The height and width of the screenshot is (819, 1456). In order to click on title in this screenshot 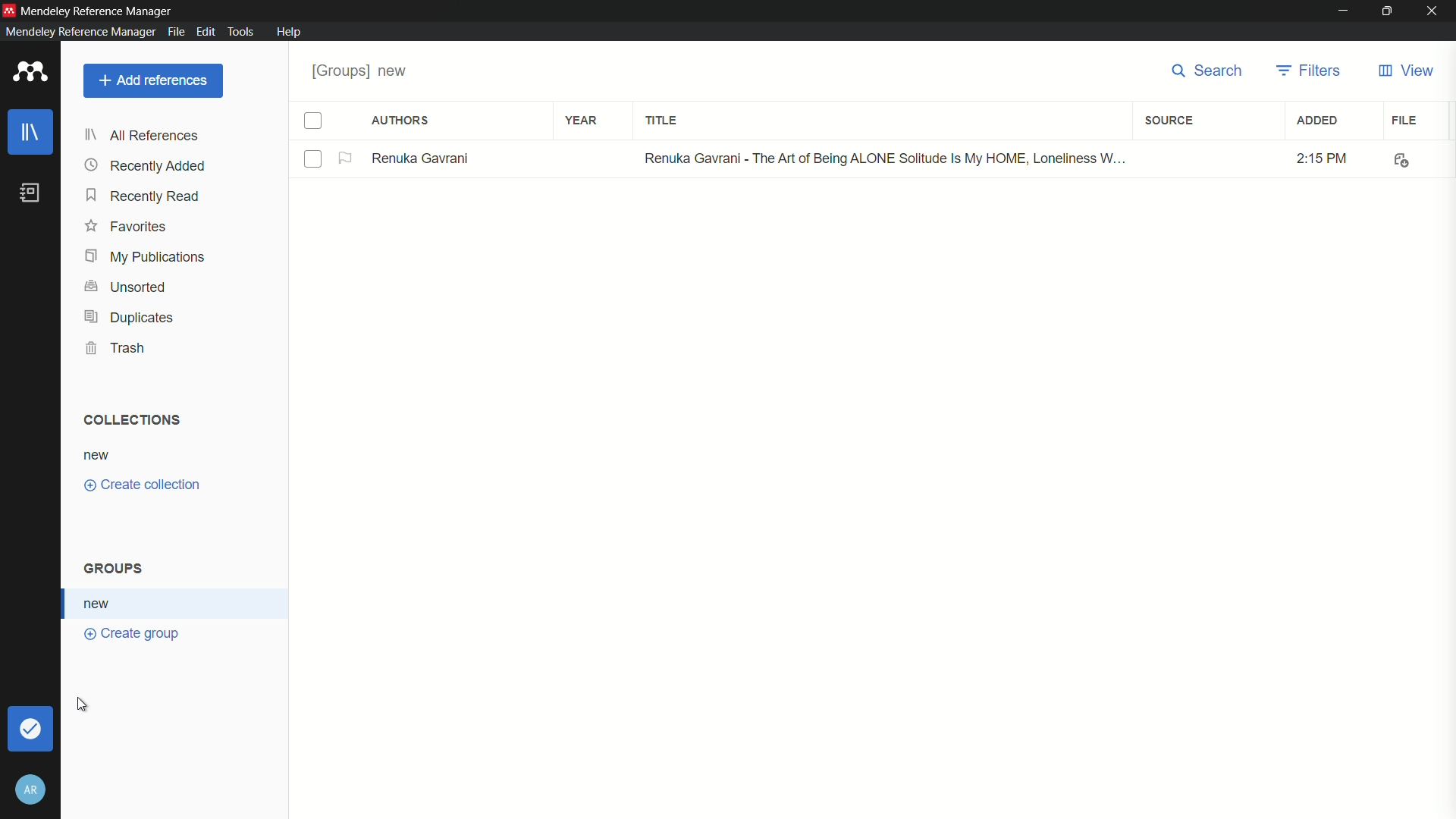, I will do `click(661, 121)`.